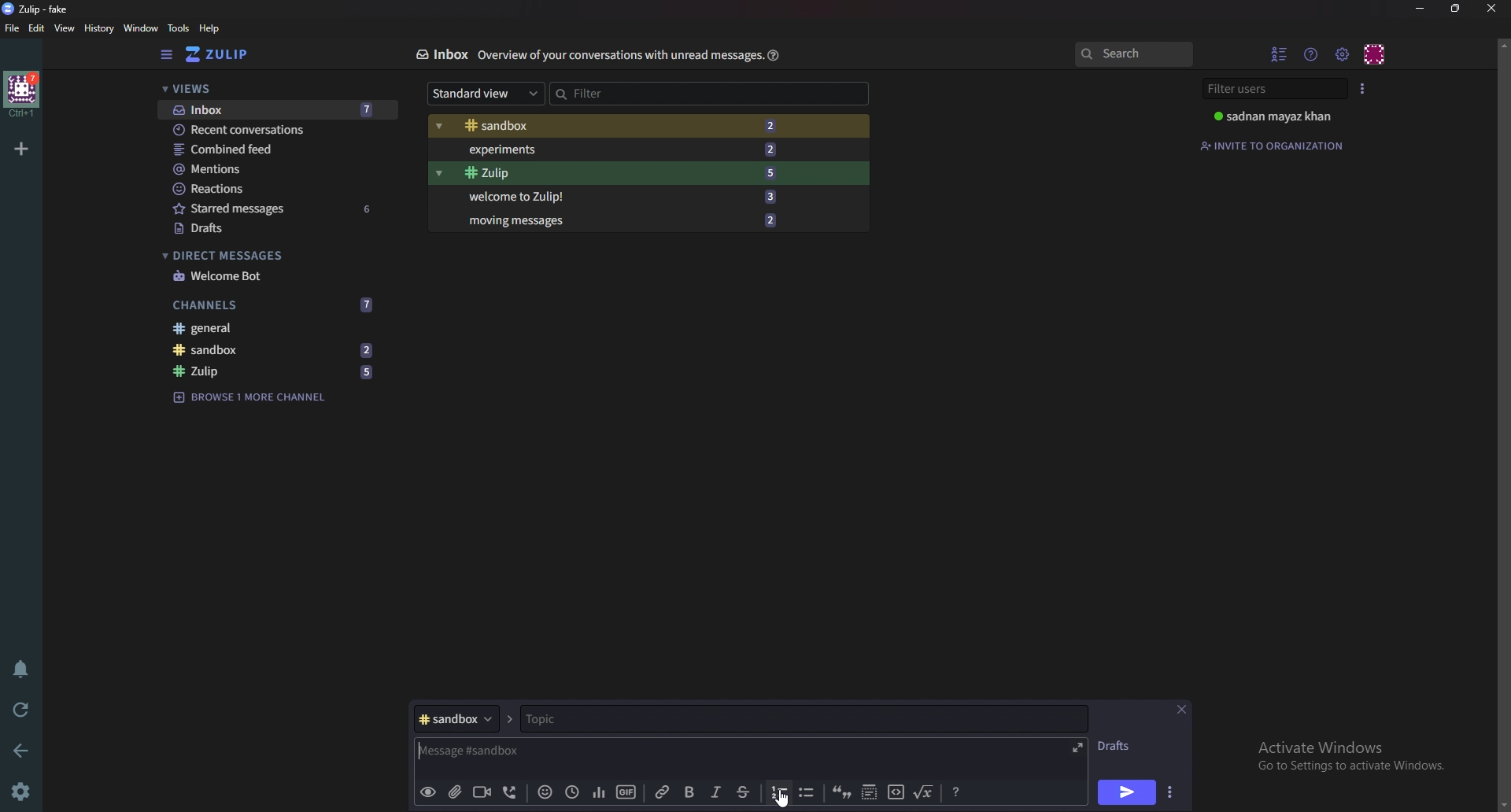 The image size is (1511, 812). What do you see at coordinates (275, 330) in the screenshot?
I see `General` at bounding box center [275, 330].